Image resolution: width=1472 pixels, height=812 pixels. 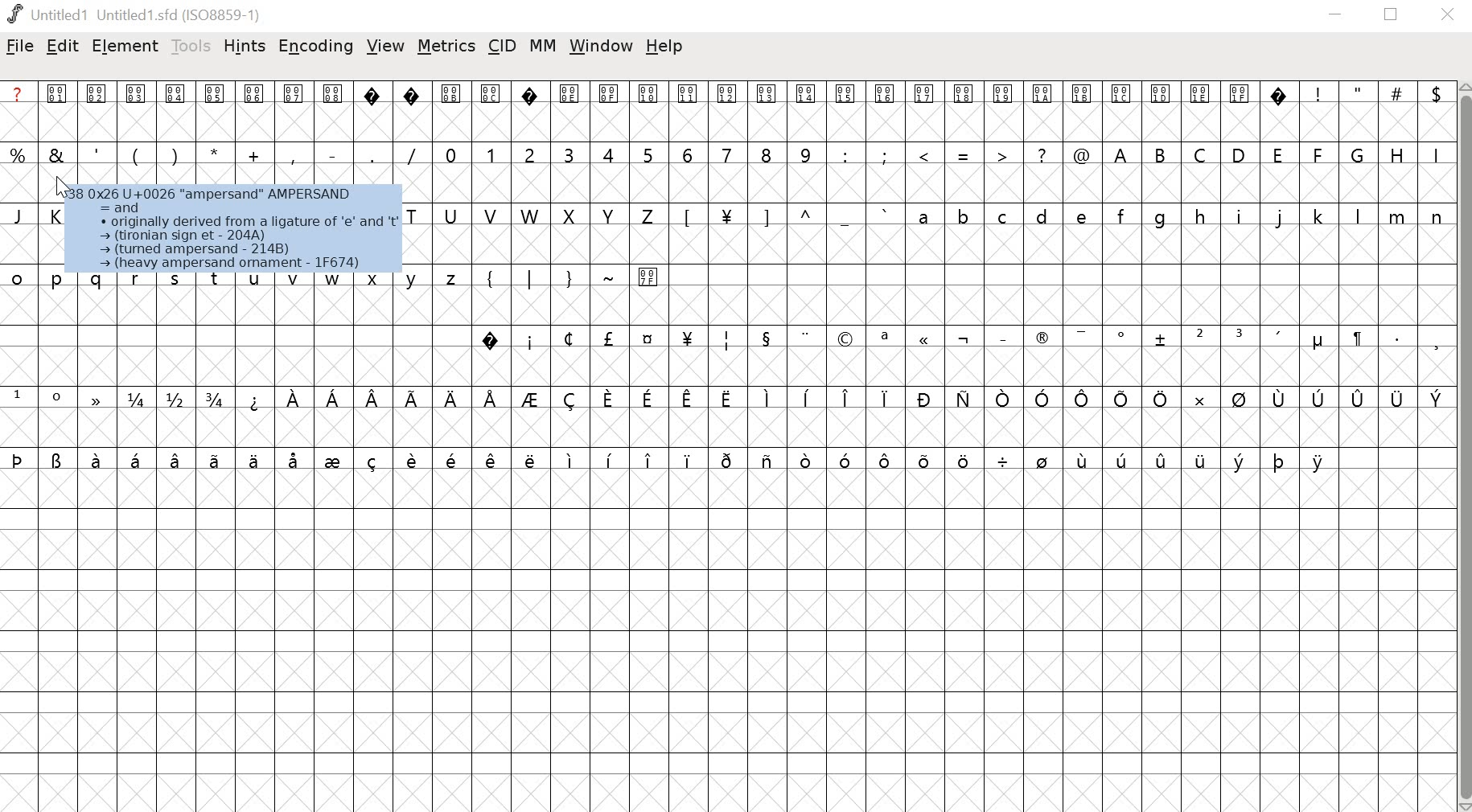 I want to click on symbol, so click(x=647, y=459).